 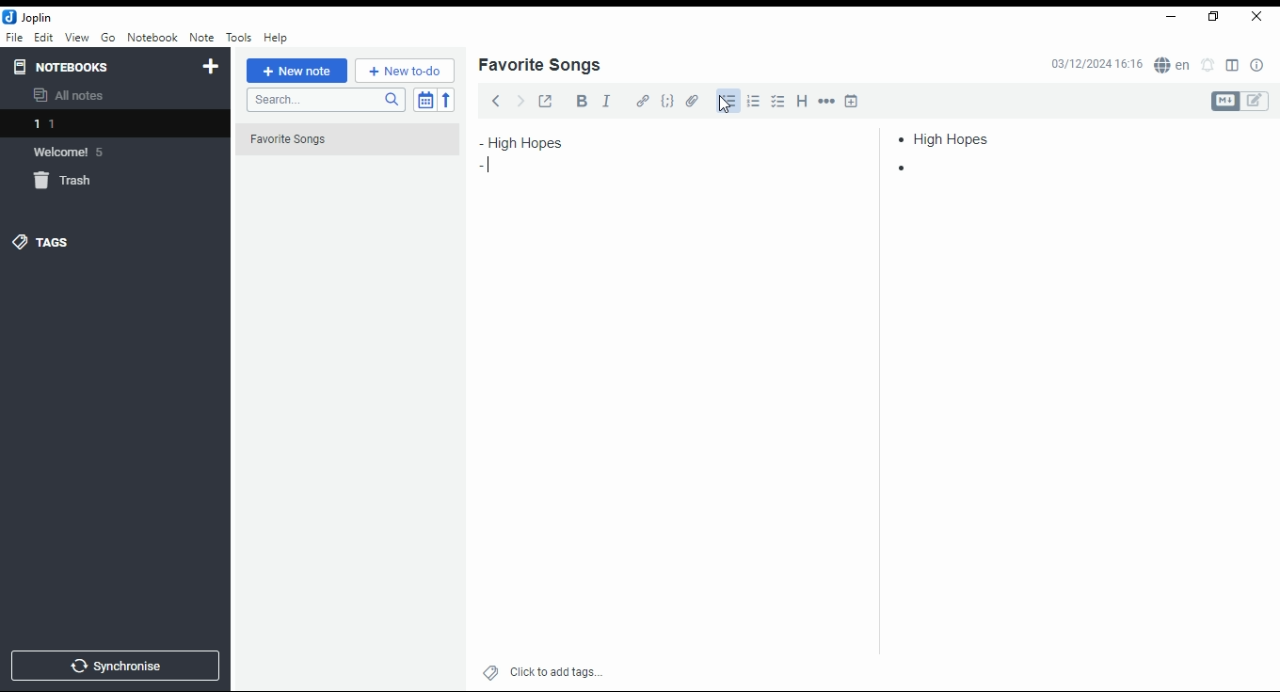 I want to click on edit, so click(x=43, y=36).